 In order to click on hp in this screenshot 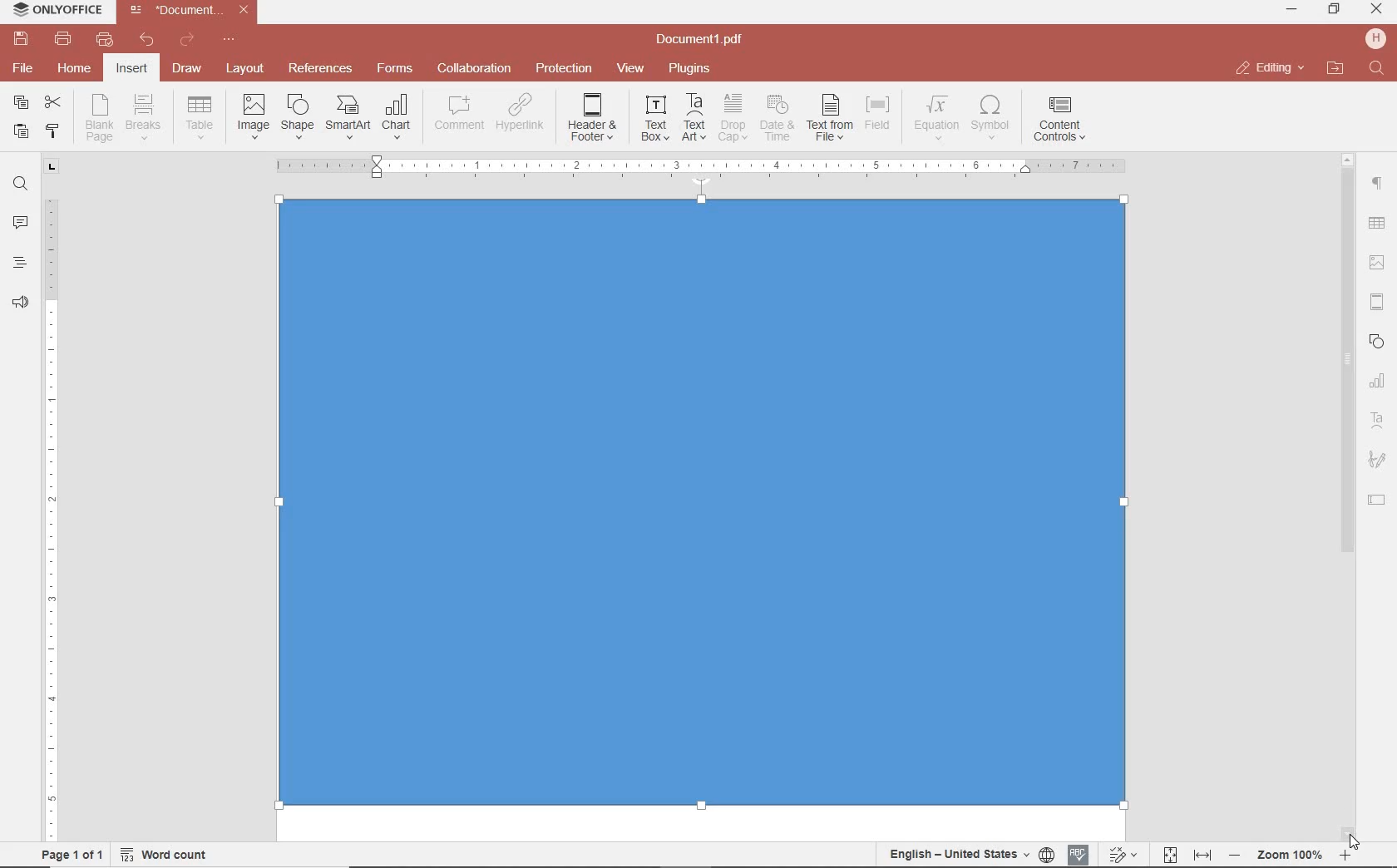, I will do `click(1379, 38)`.